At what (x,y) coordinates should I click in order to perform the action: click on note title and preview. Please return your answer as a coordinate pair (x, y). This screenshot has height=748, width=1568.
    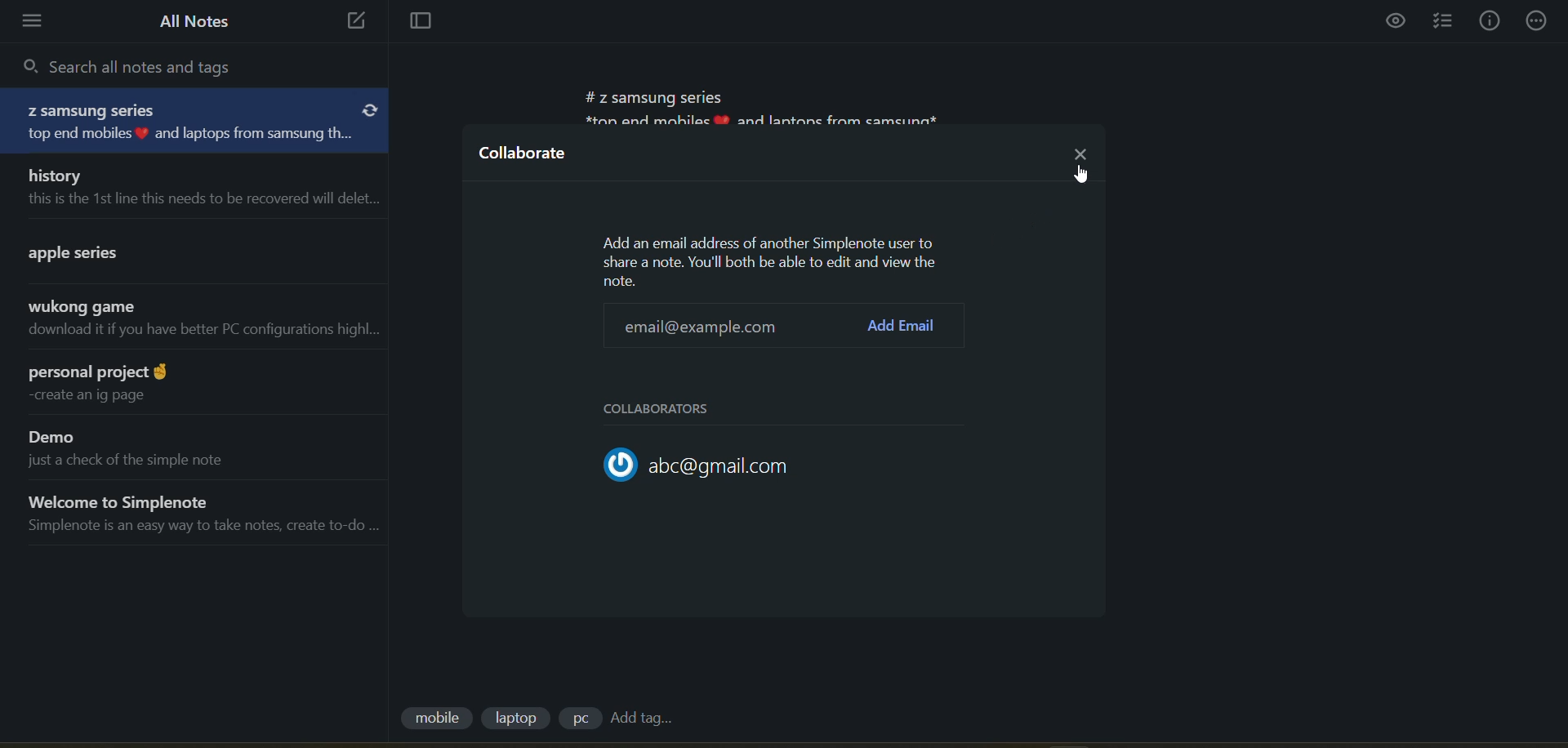
    Looking at the image, I should click on (196, 382).